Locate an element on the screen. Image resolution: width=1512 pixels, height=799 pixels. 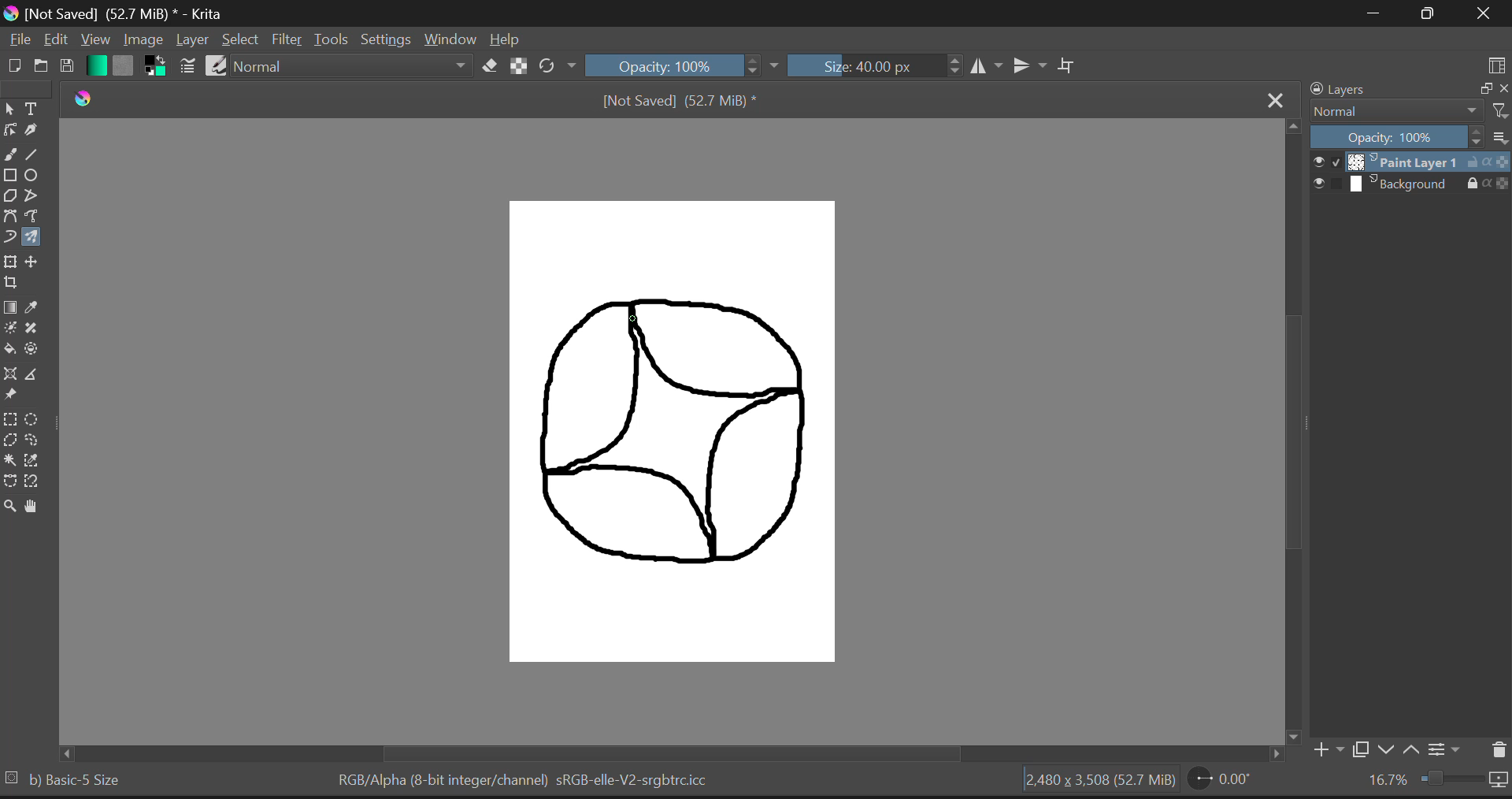
Rectangles is located at coordinates (10, 175).